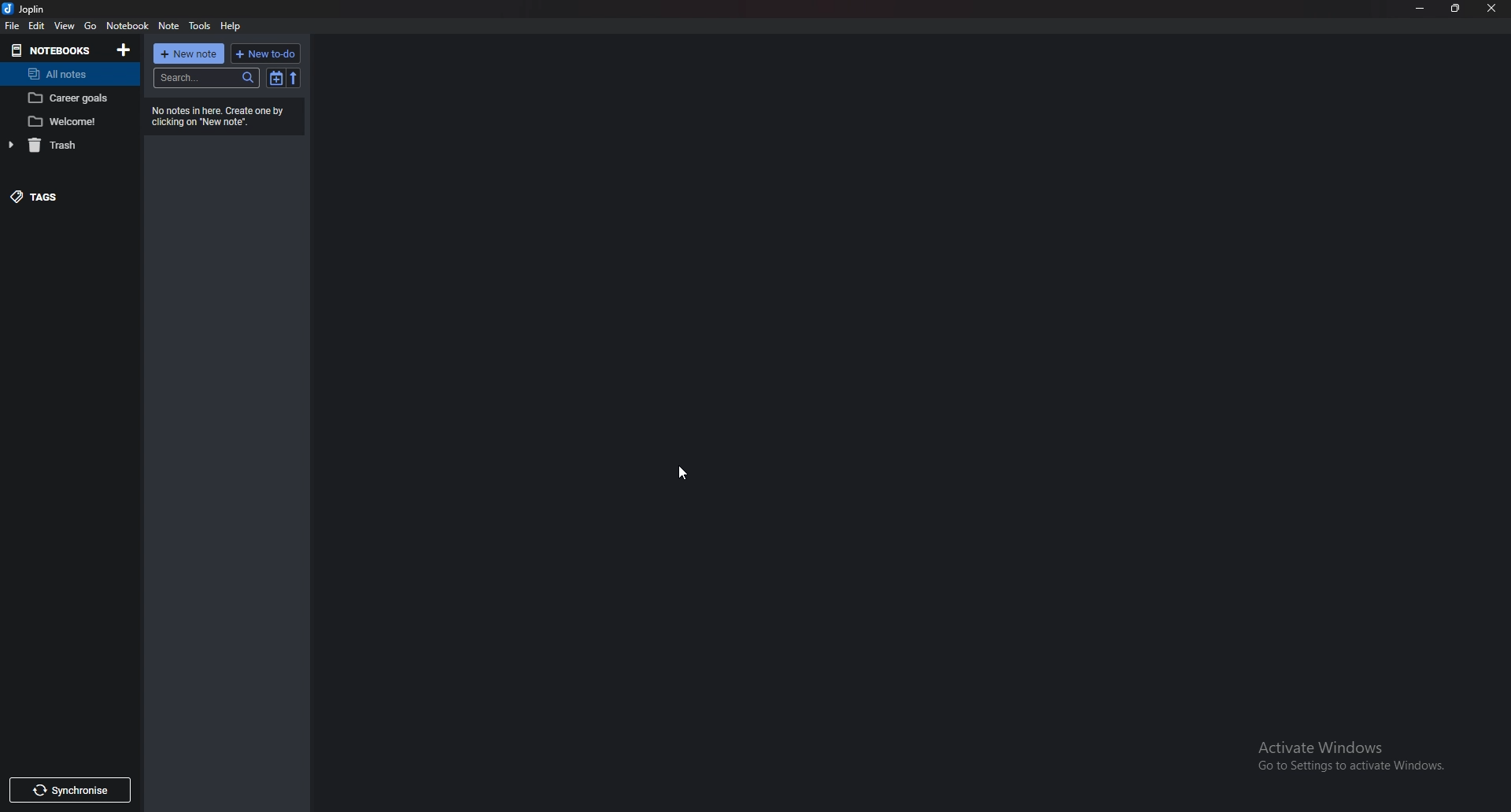  What do you see at coordinates (231, 26) in the screenshot?
I see `help` at bounding box center [231, 26].